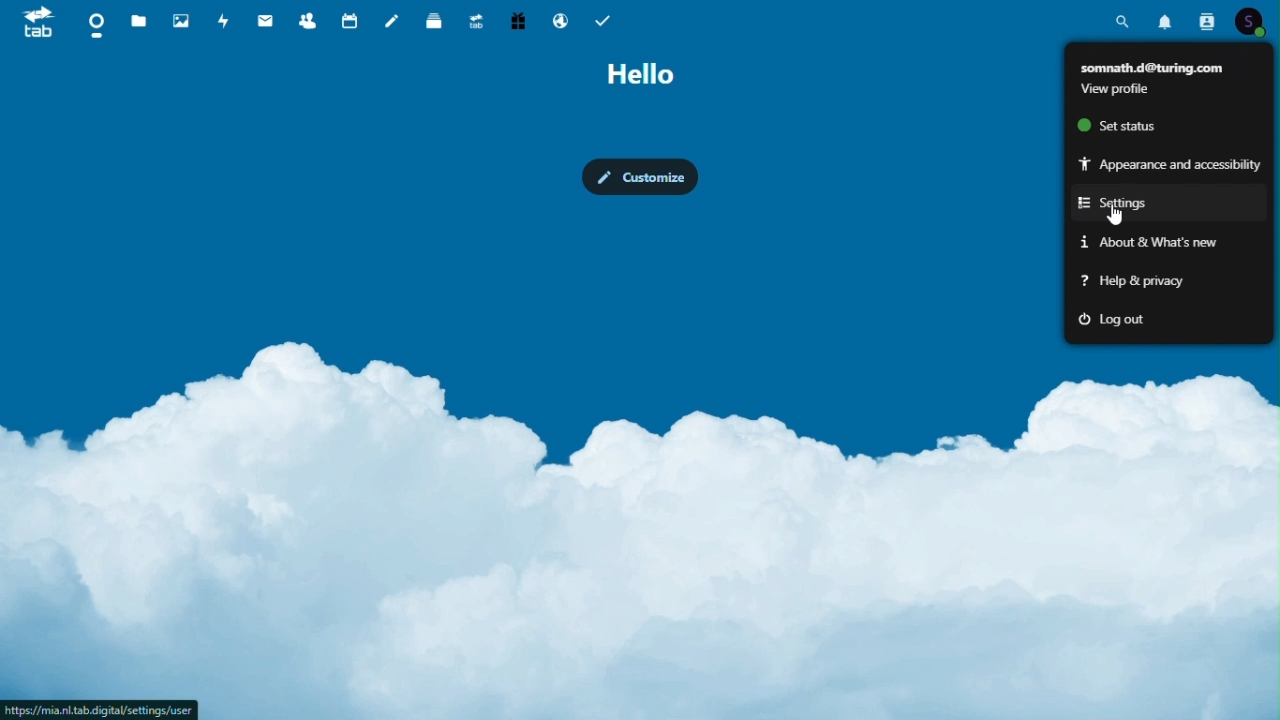  What do you see at coordinates (309, 18) in the screenshot?
I see `Contacts` at bounding box center [309, 18].